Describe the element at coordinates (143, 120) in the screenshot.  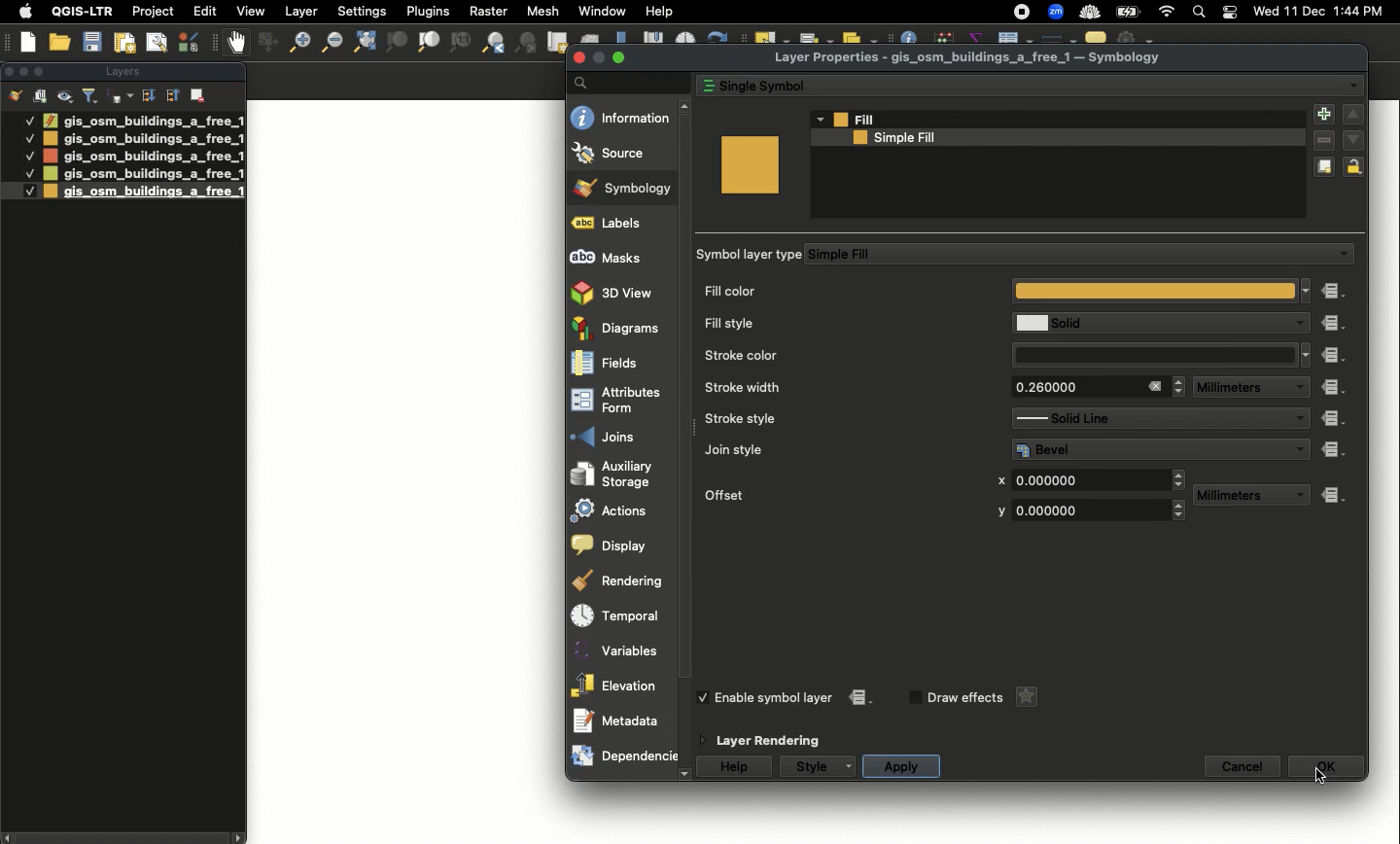
I see `gis_osm_buildings_a_free_1` at that location.